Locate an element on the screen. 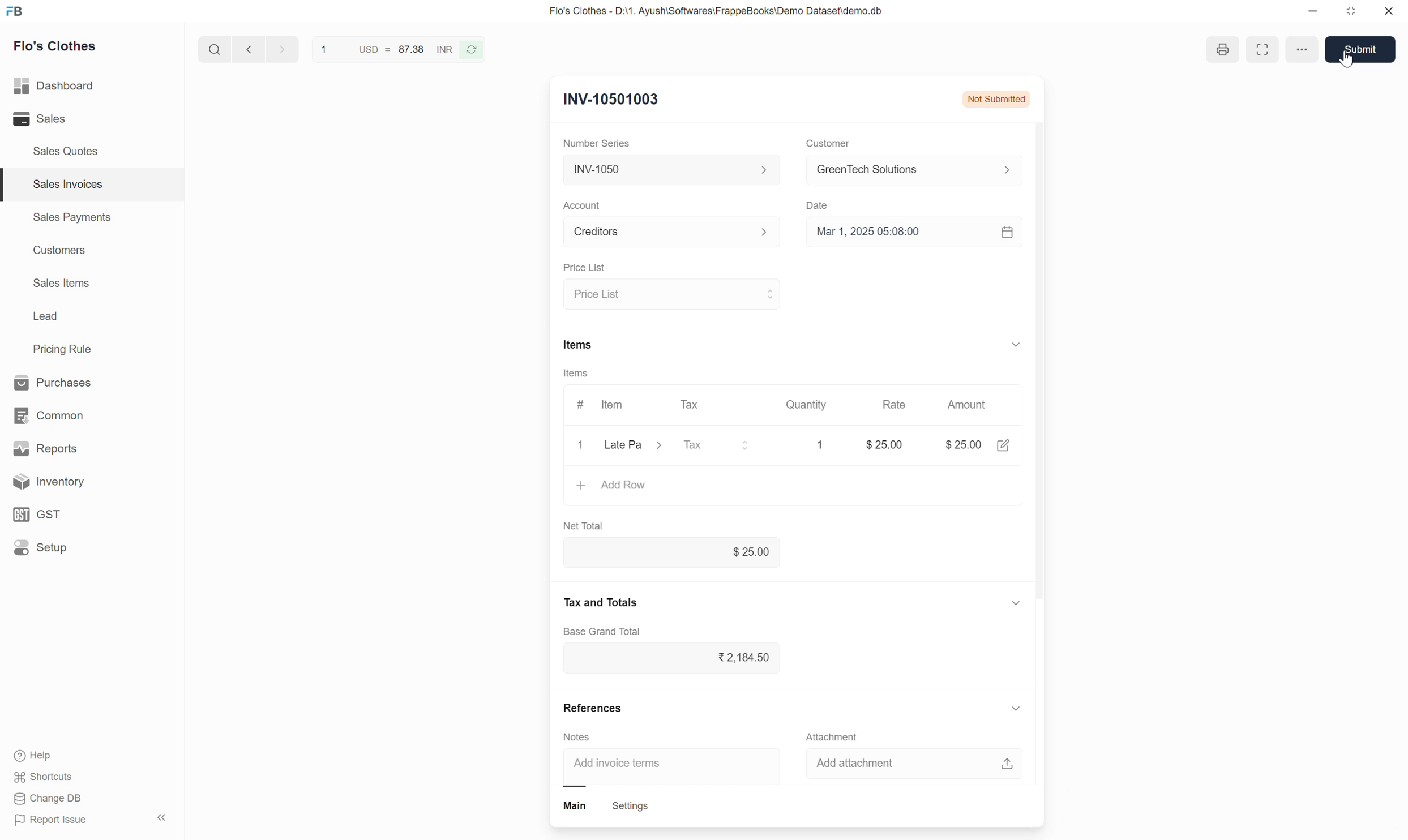 This screenshot has height=840, width=1408. shortcuts  is located at coordinates (54, 777).